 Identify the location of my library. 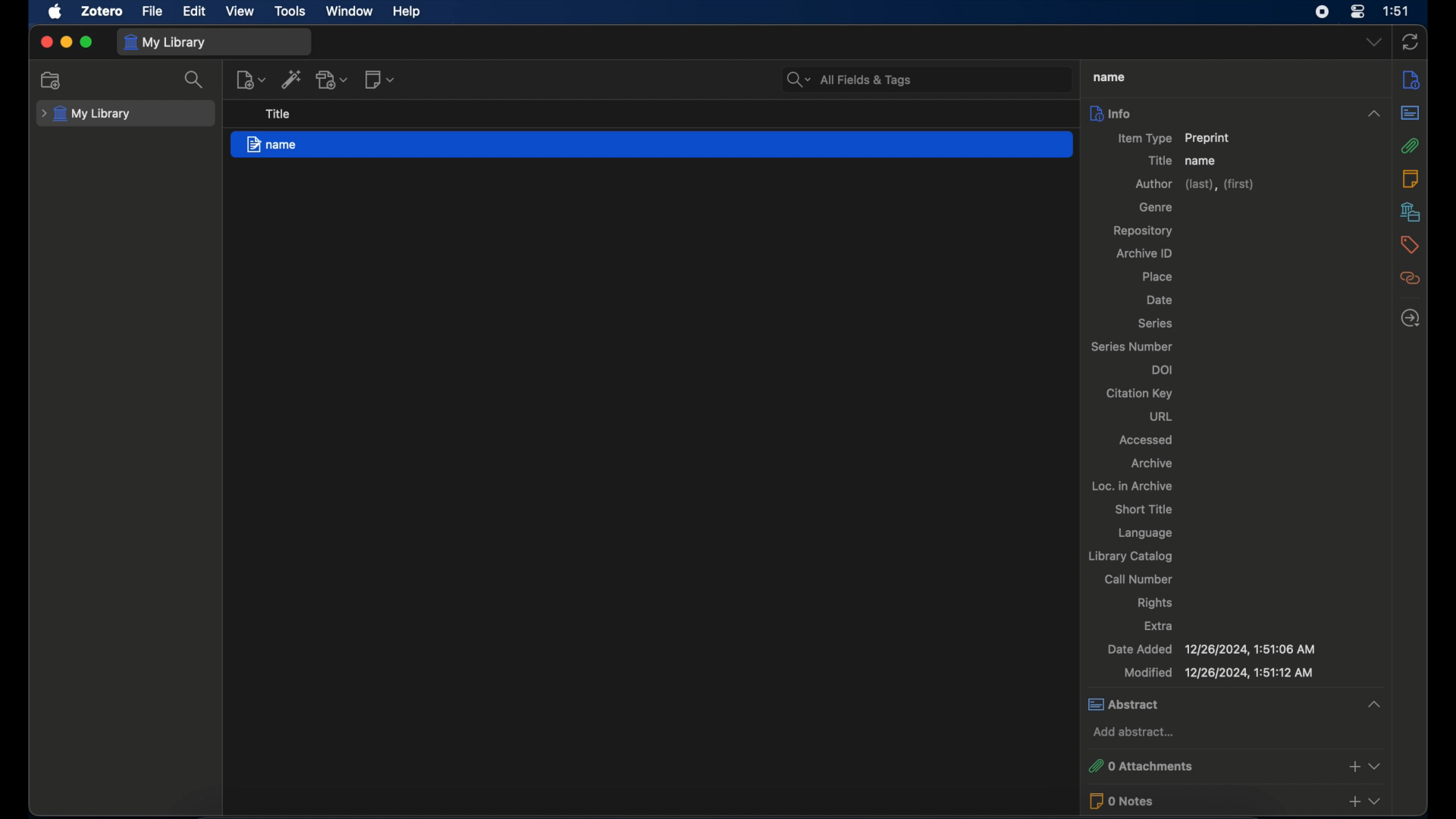
(165, 42).